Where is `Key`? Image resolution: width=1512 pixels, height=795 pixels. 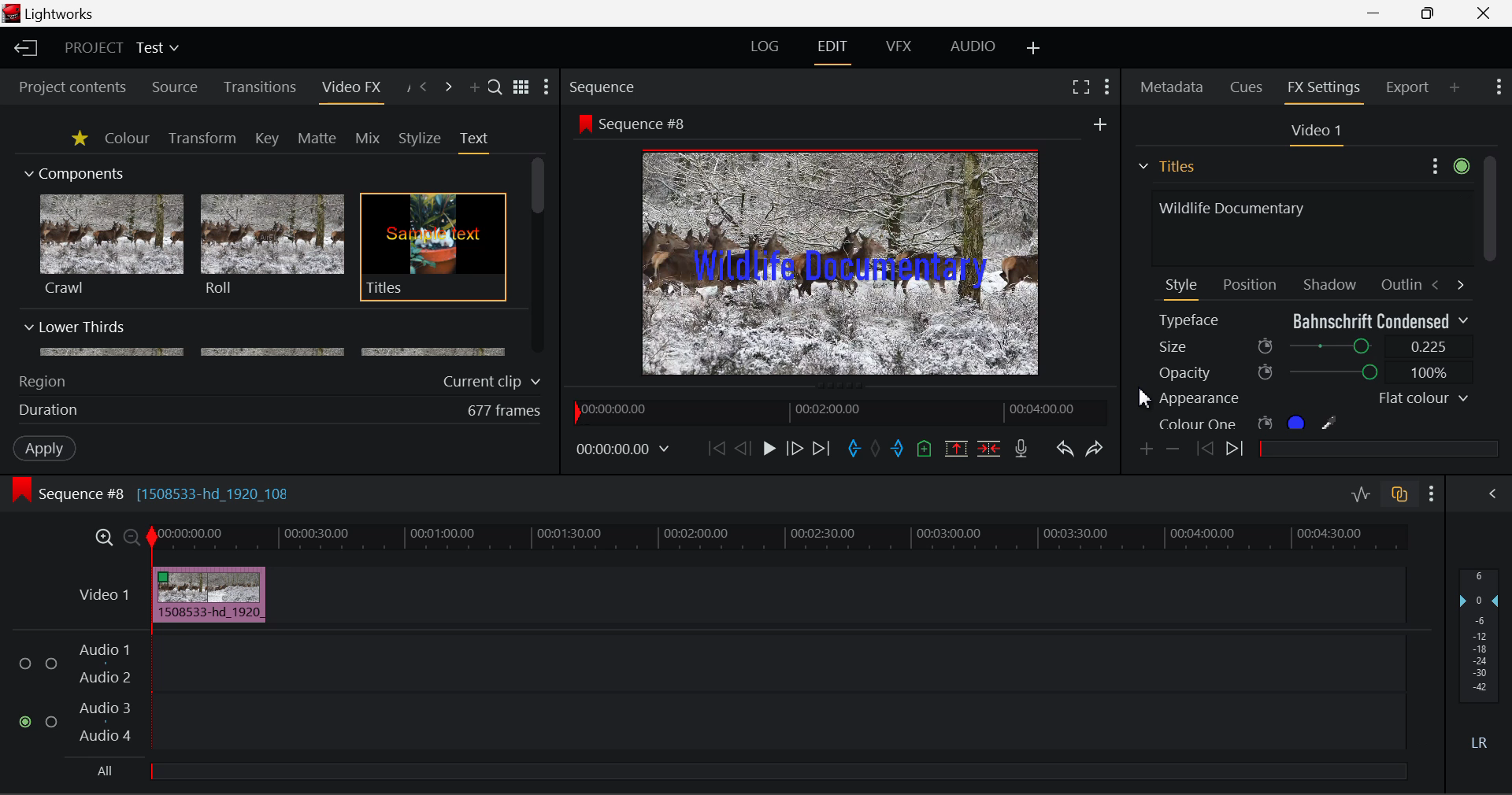 Key is located at coordinates (269, 139).